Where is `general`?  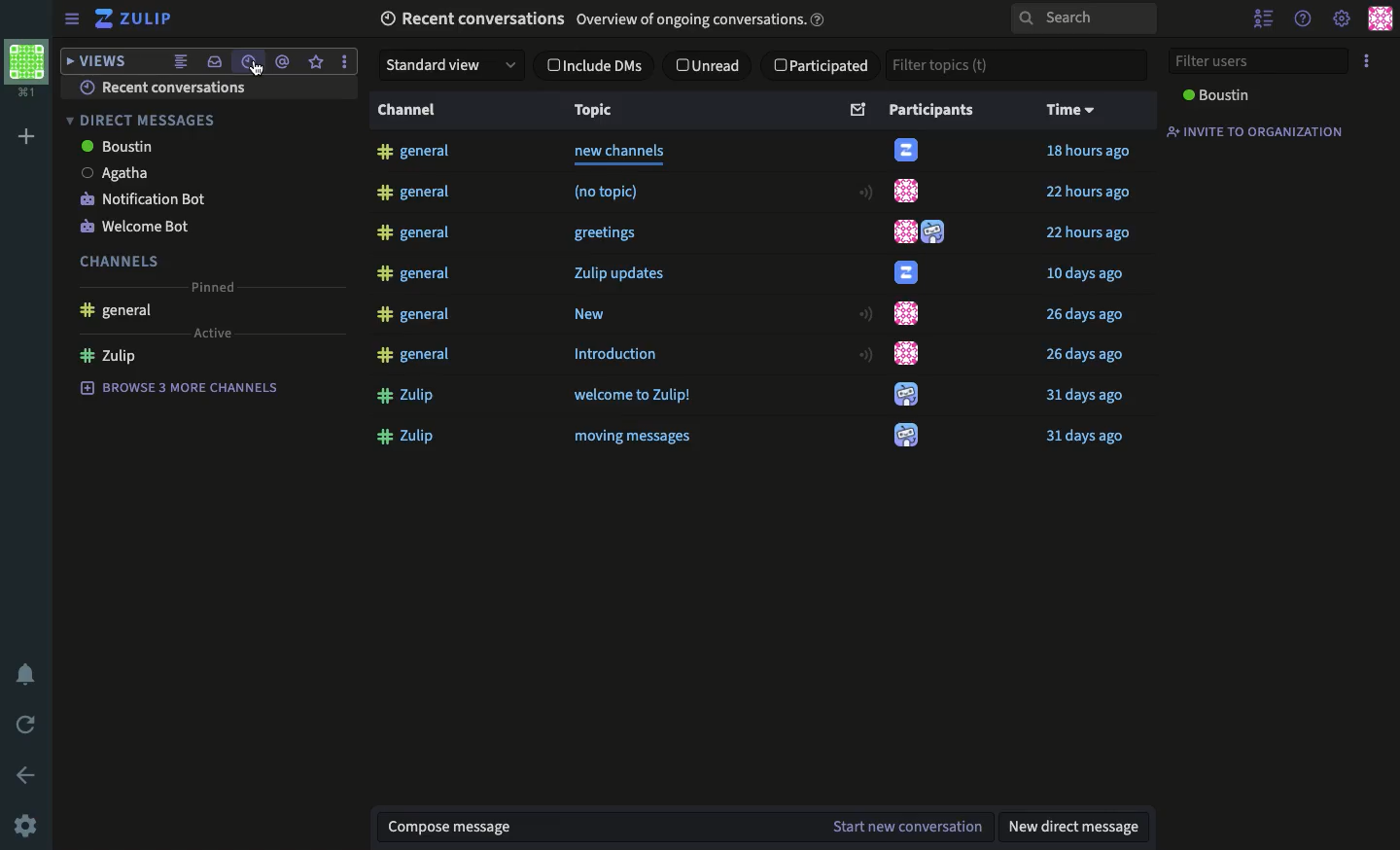 general is located at coordinates (414, 236).